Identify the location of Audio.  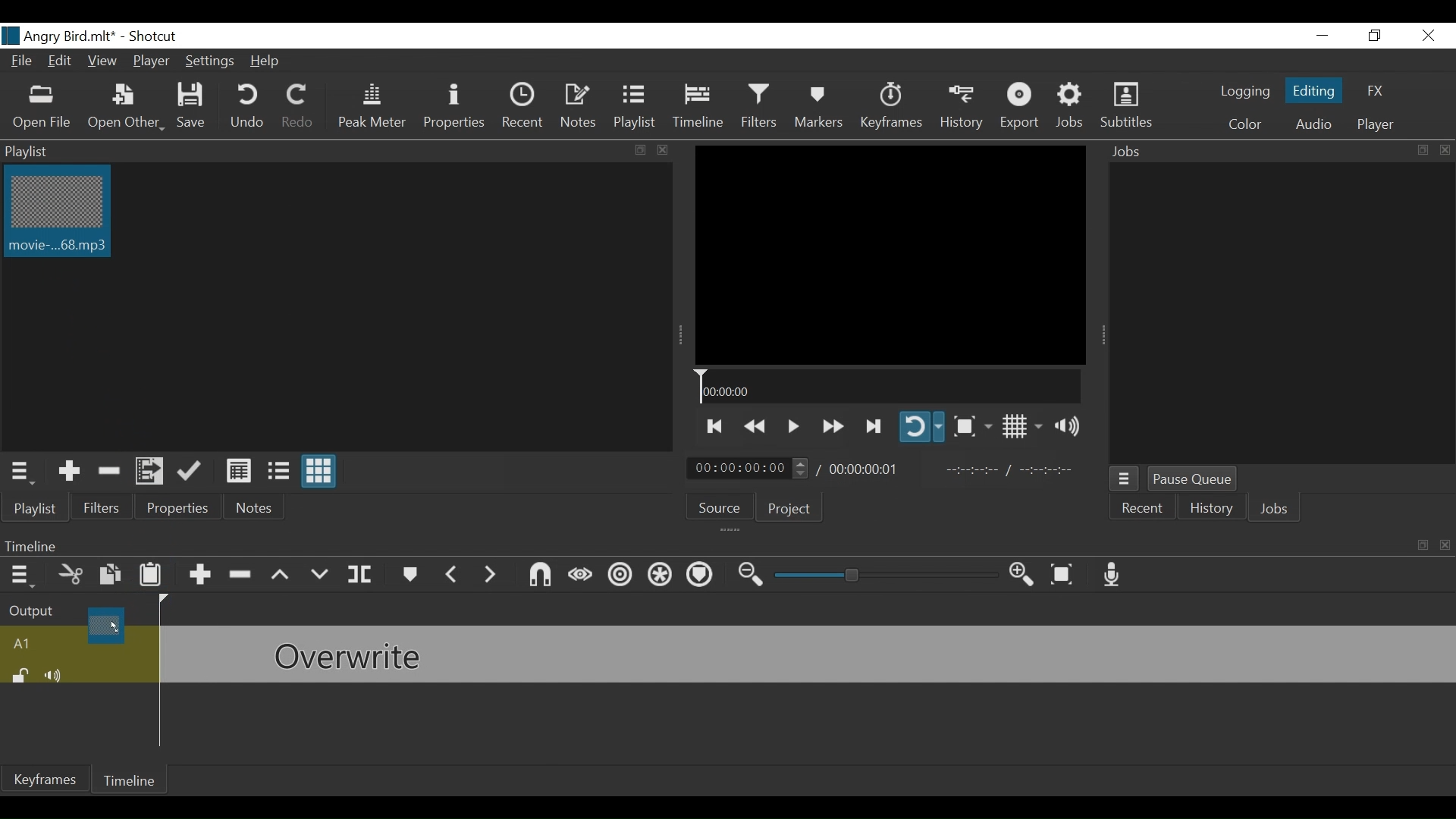
(1313, 124).